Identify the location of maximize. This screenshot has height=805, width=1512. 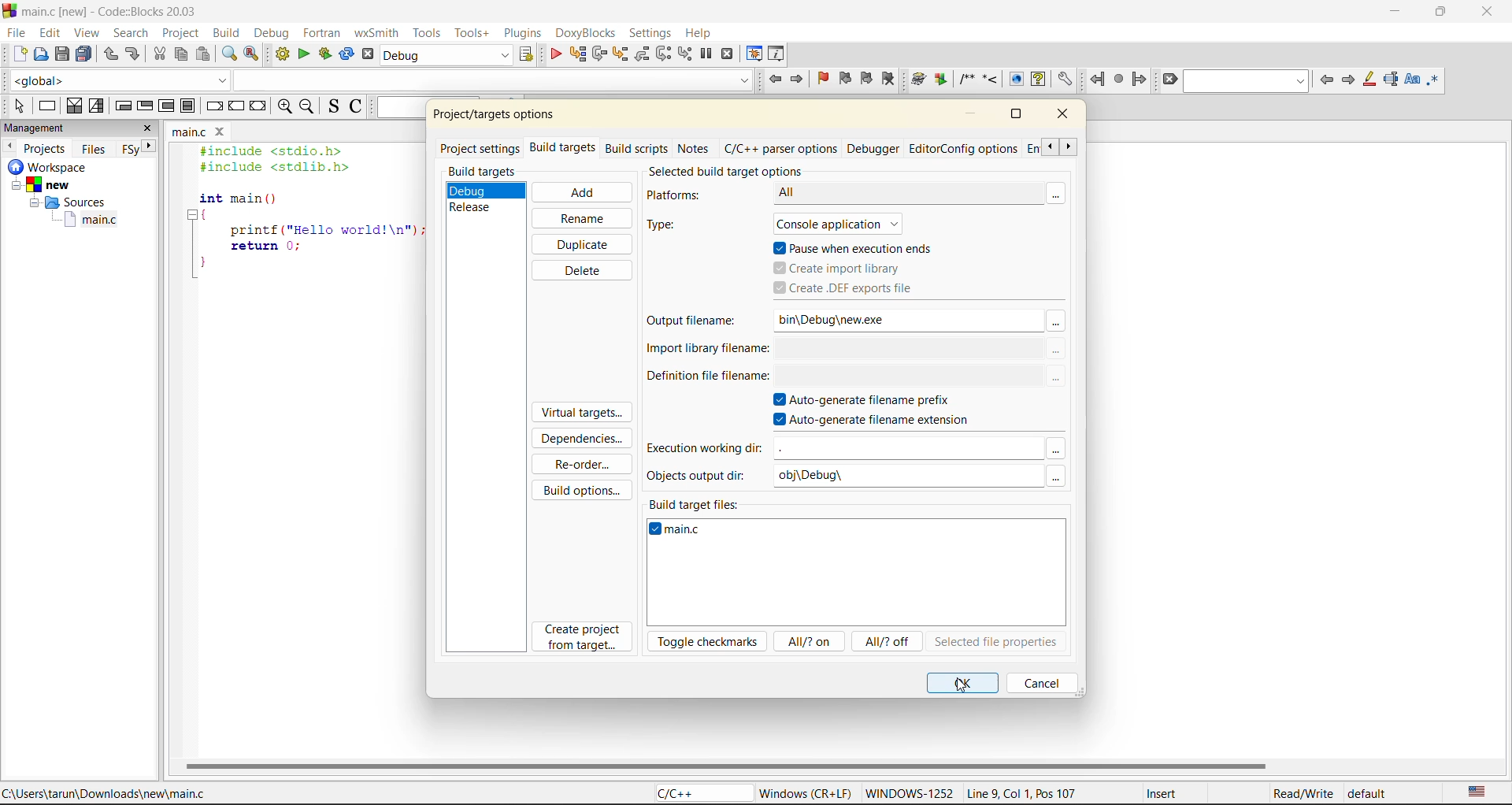
(1444, 14).